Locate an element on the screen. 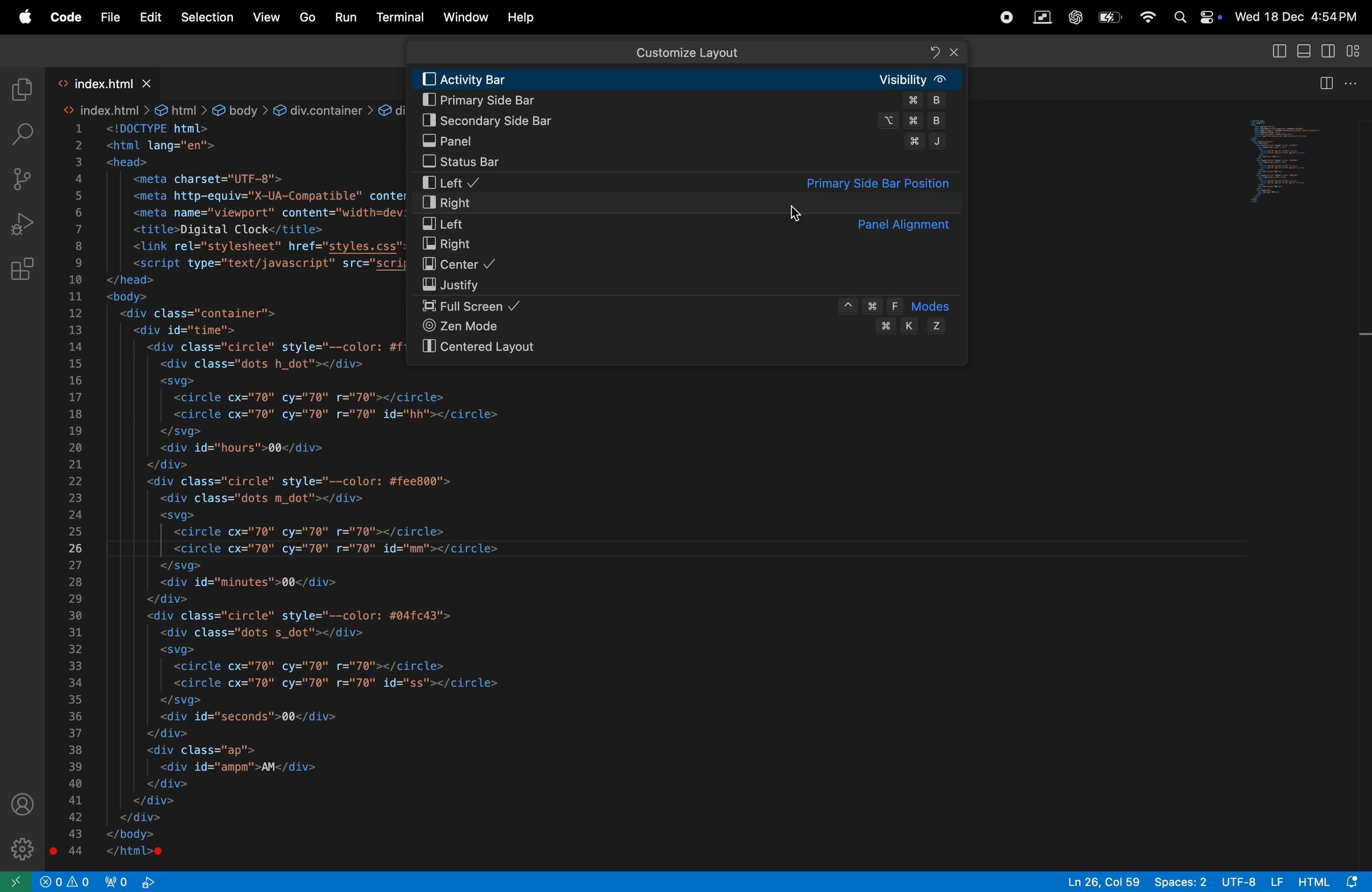 This screenshot has height=892, width=1372. Control center is located at coordinates (1208, 17).